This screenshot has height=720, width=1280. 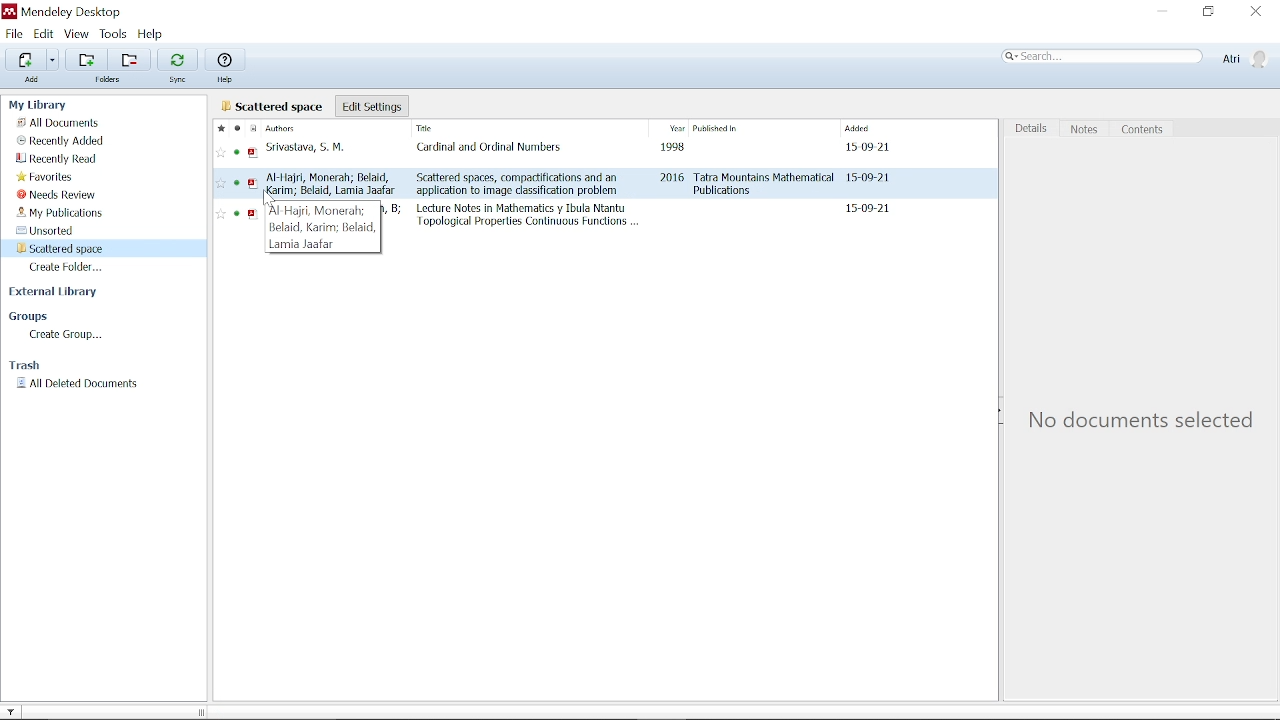 I want to click on Add files options, so click(x=53, y=60).